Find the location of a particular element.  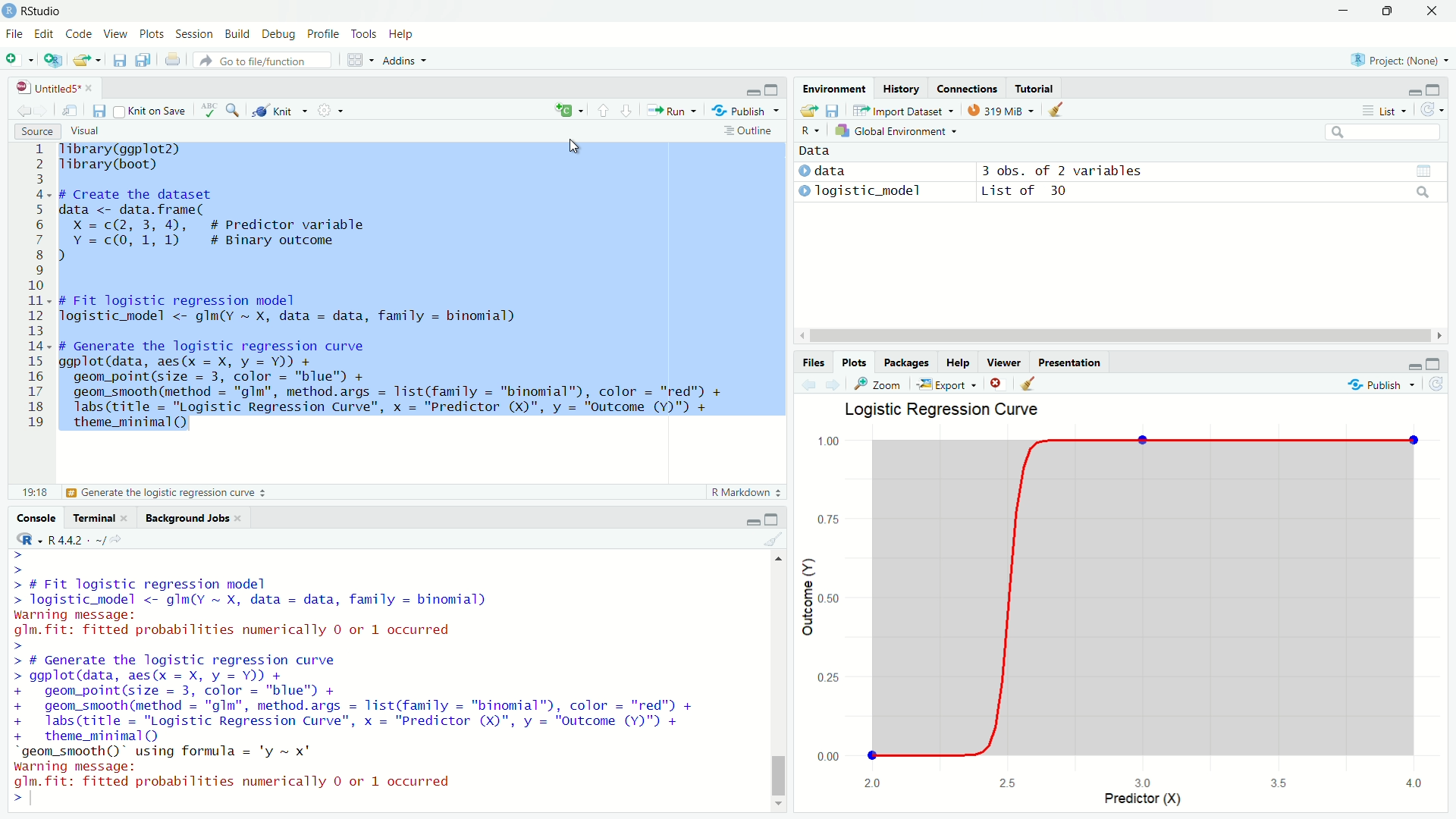

10:1 is located at coordinates (34, 492).